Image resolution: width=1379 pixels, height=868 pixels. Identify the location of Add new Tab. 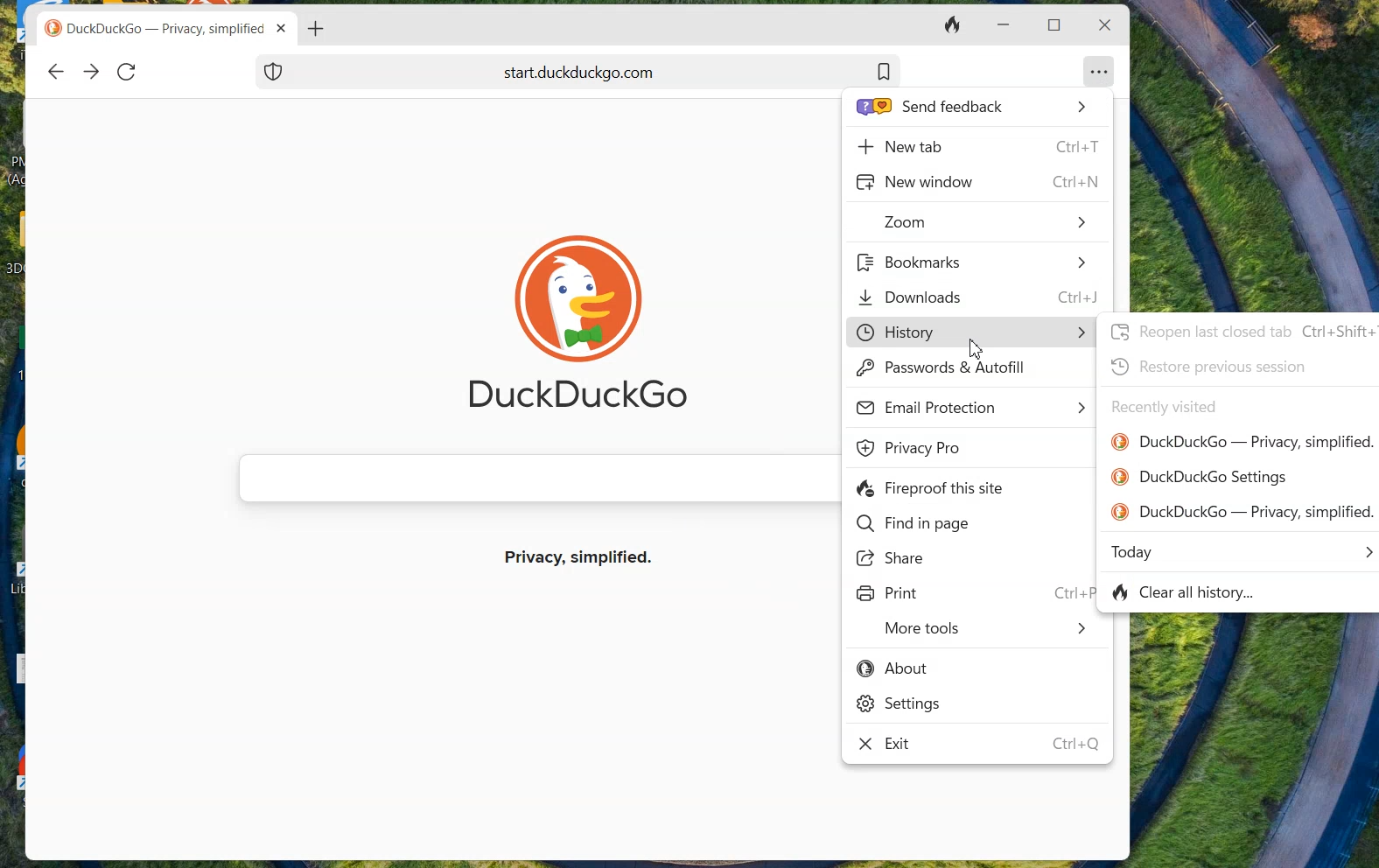
(317, 28).